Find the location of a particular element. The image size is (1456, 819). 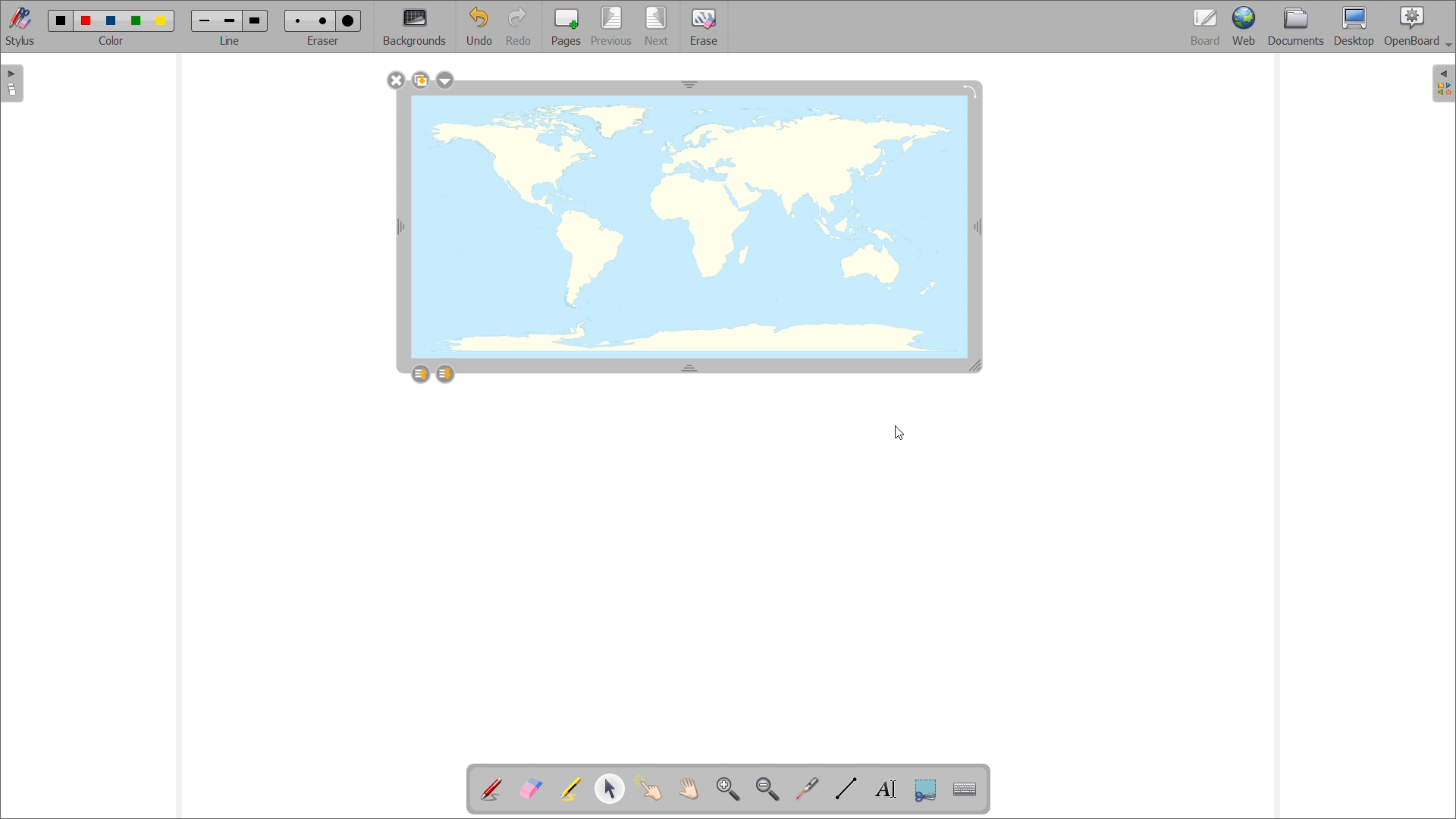

virtual laser pointer is located at coordinates (808, 789).